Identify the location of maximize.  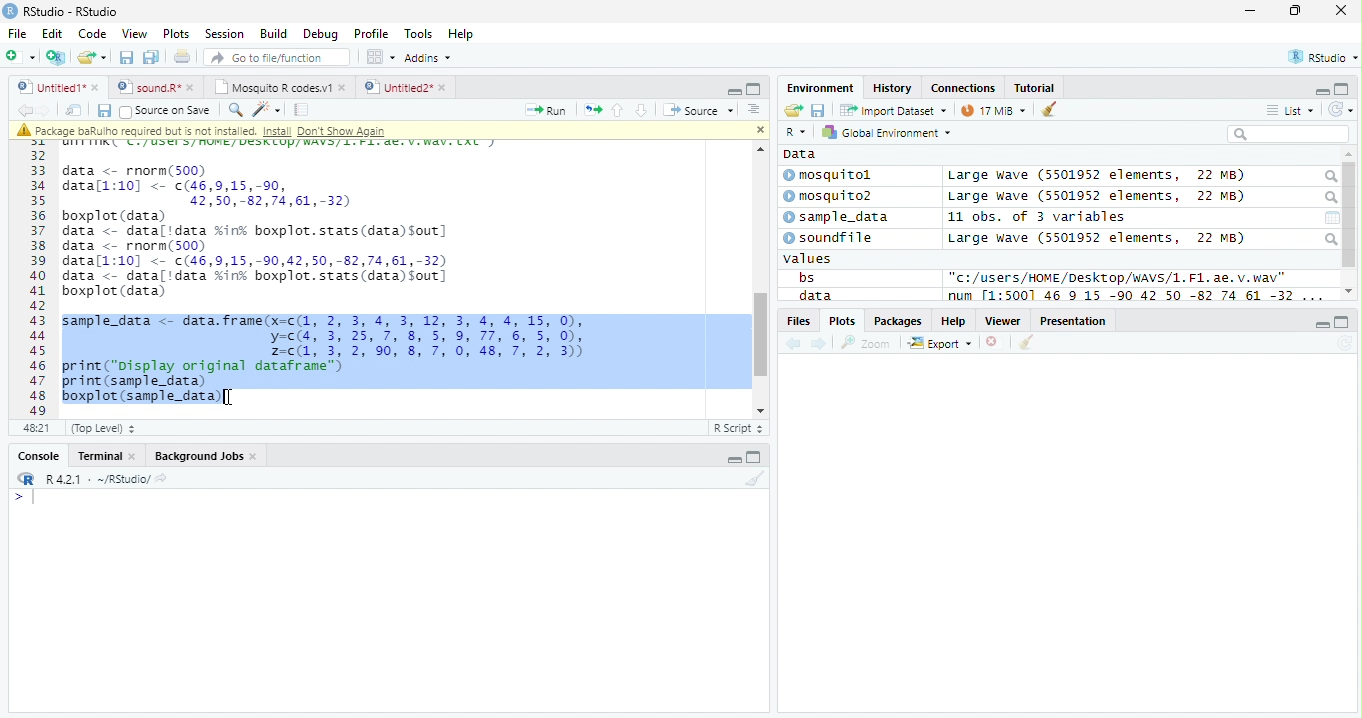
(1294, 10).